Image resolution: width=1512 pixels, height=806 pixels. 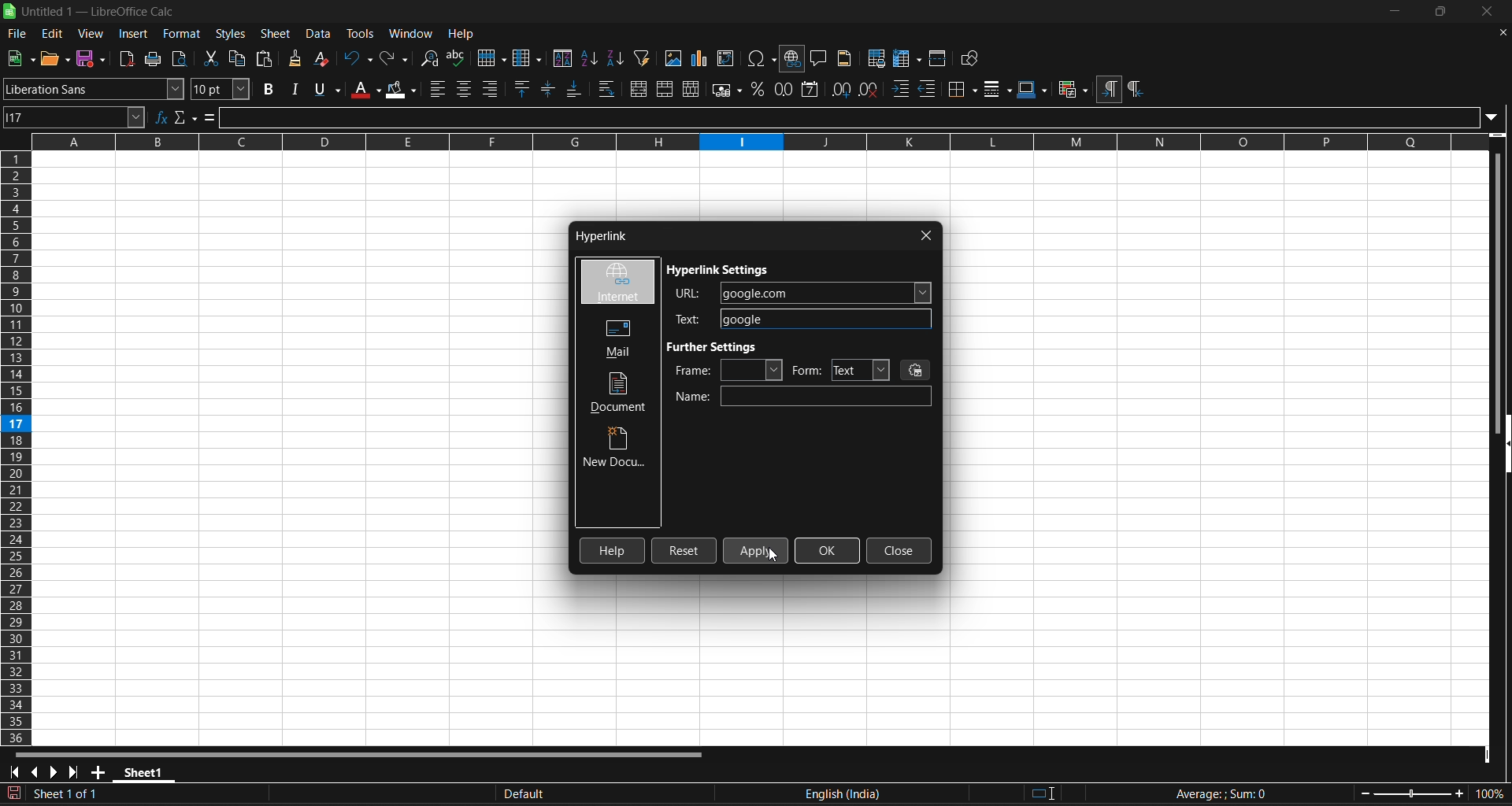 I want to click on close, so click(x=899, y=551).